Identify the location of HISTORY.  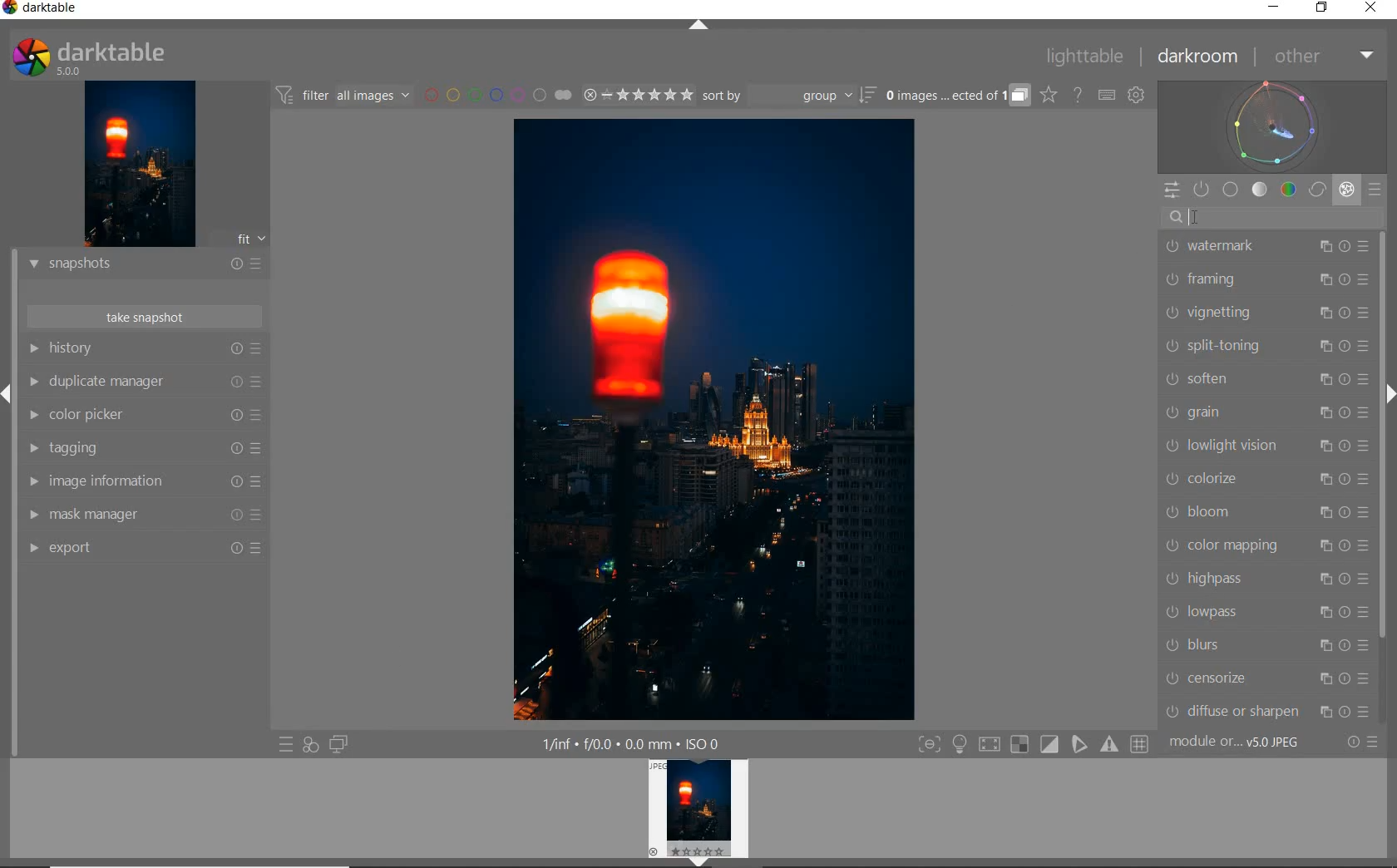
(119, 350).